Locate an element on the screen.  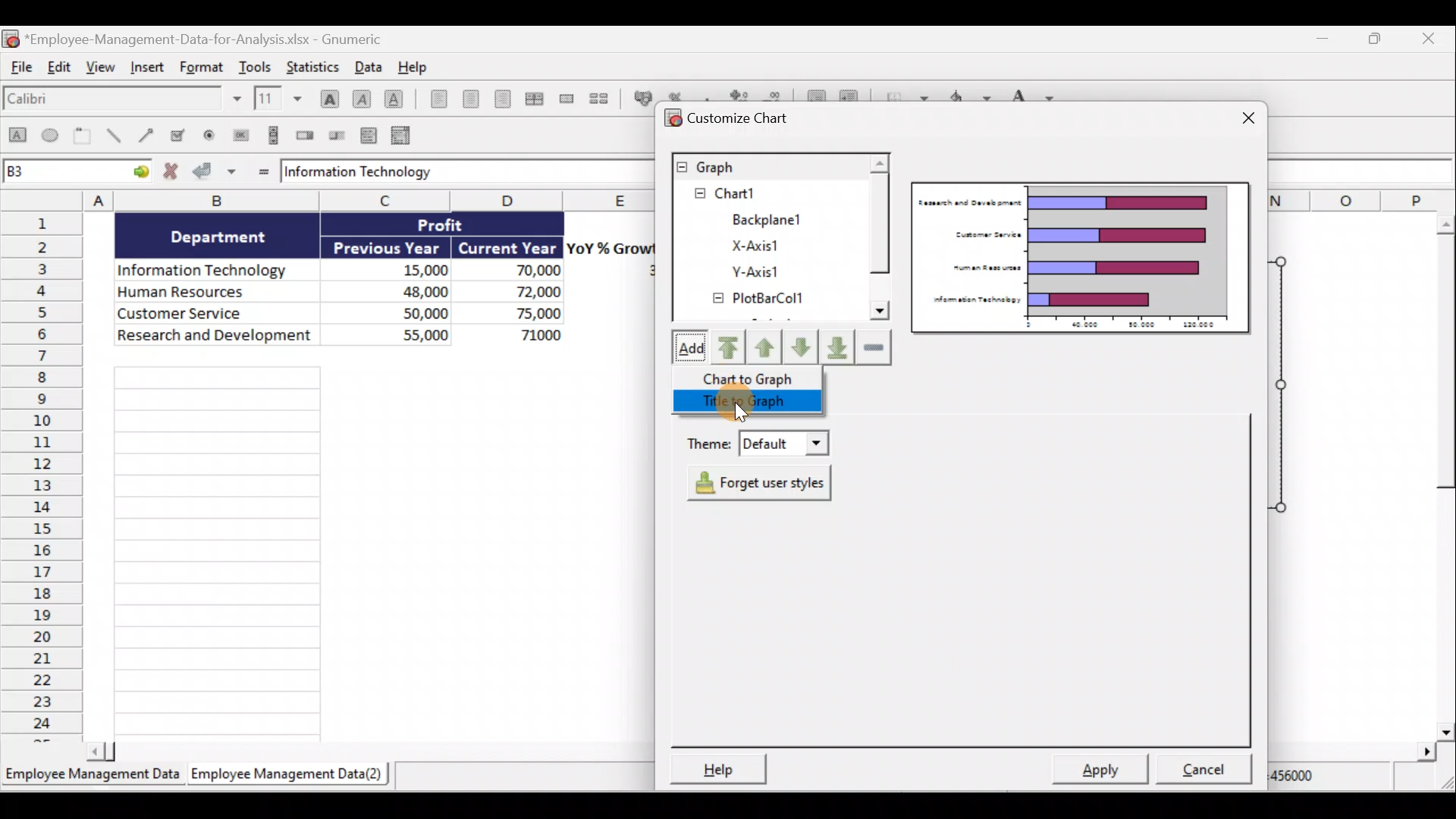
YoY % Growth is located at coordinates (611, 247).